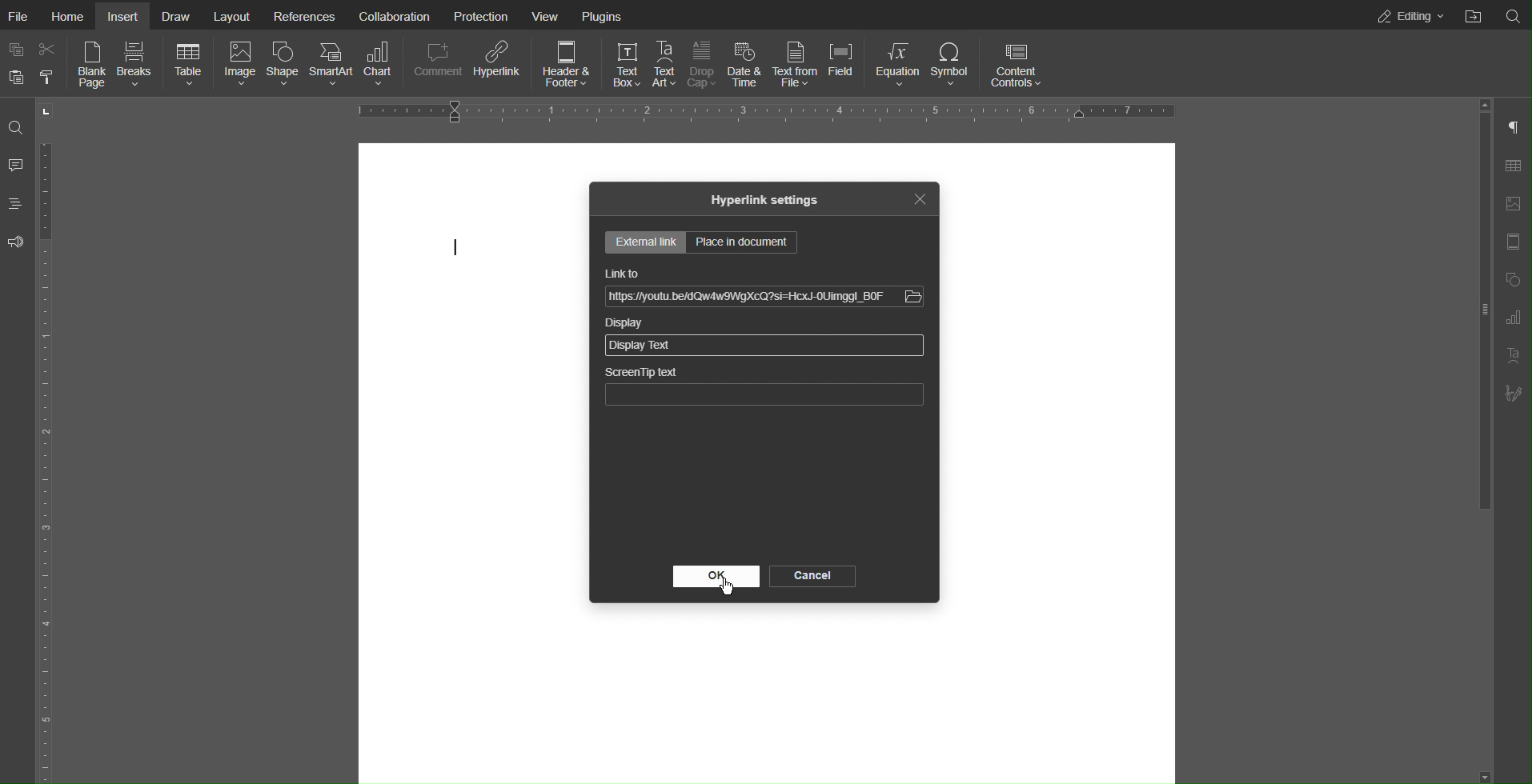  What do you see at coordinates (16, 126) in the screenshot?
I see `Search` at bounding box center [16, 126].